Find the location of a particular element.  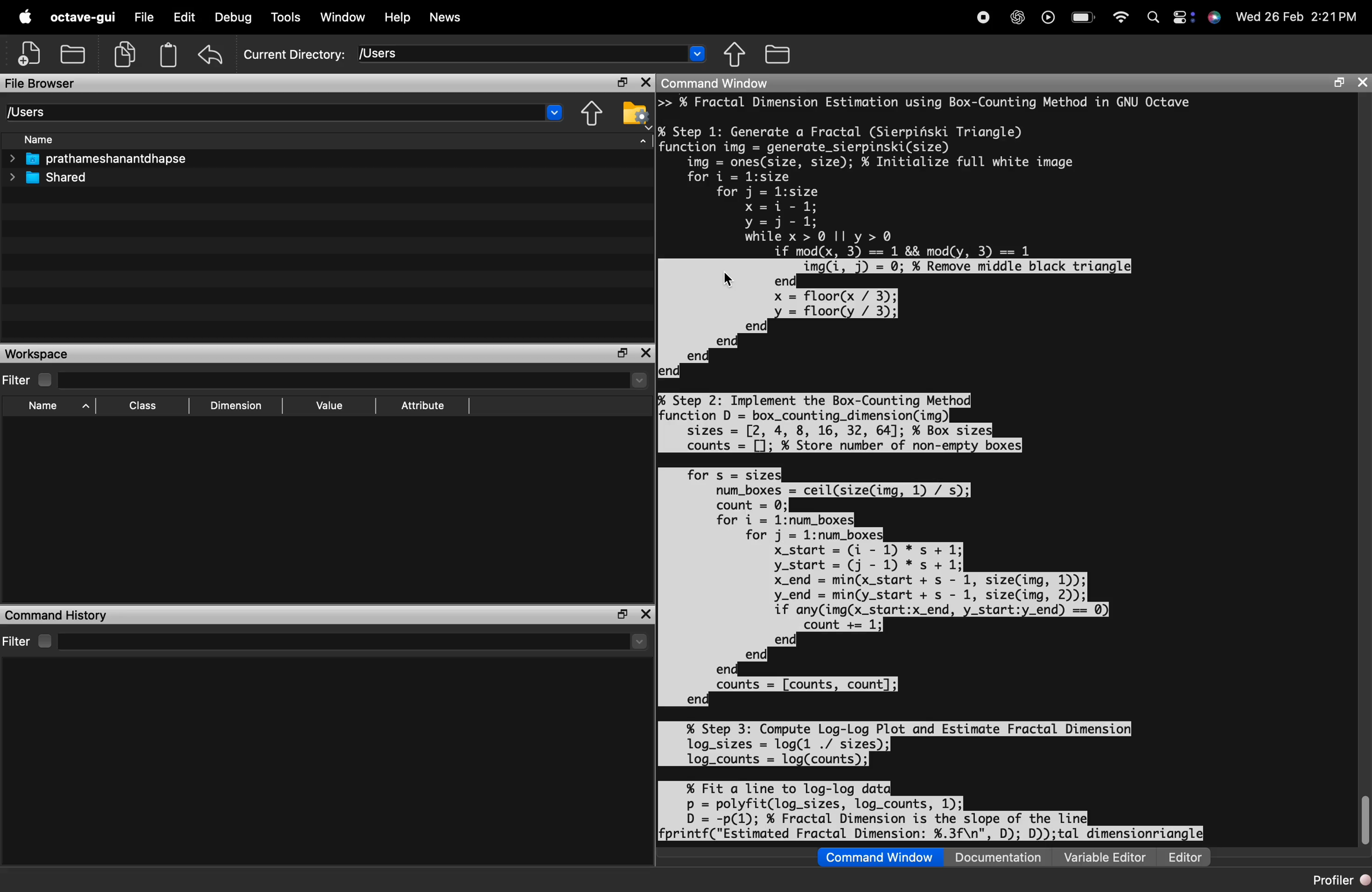

Value is located at coordinates (329, 405).